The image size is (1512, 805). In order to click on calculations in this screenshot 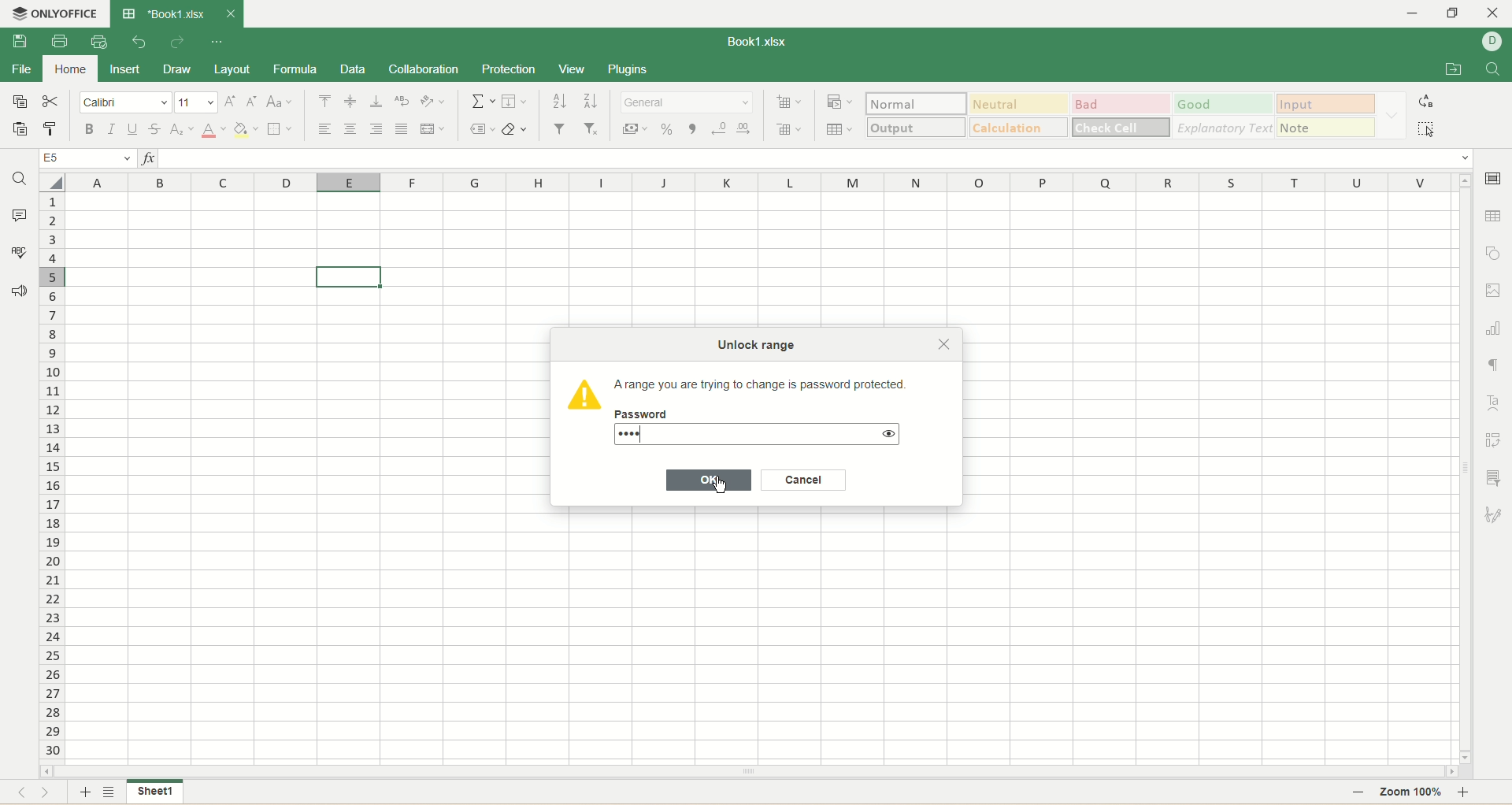, I will do `click(1020, 127)`.